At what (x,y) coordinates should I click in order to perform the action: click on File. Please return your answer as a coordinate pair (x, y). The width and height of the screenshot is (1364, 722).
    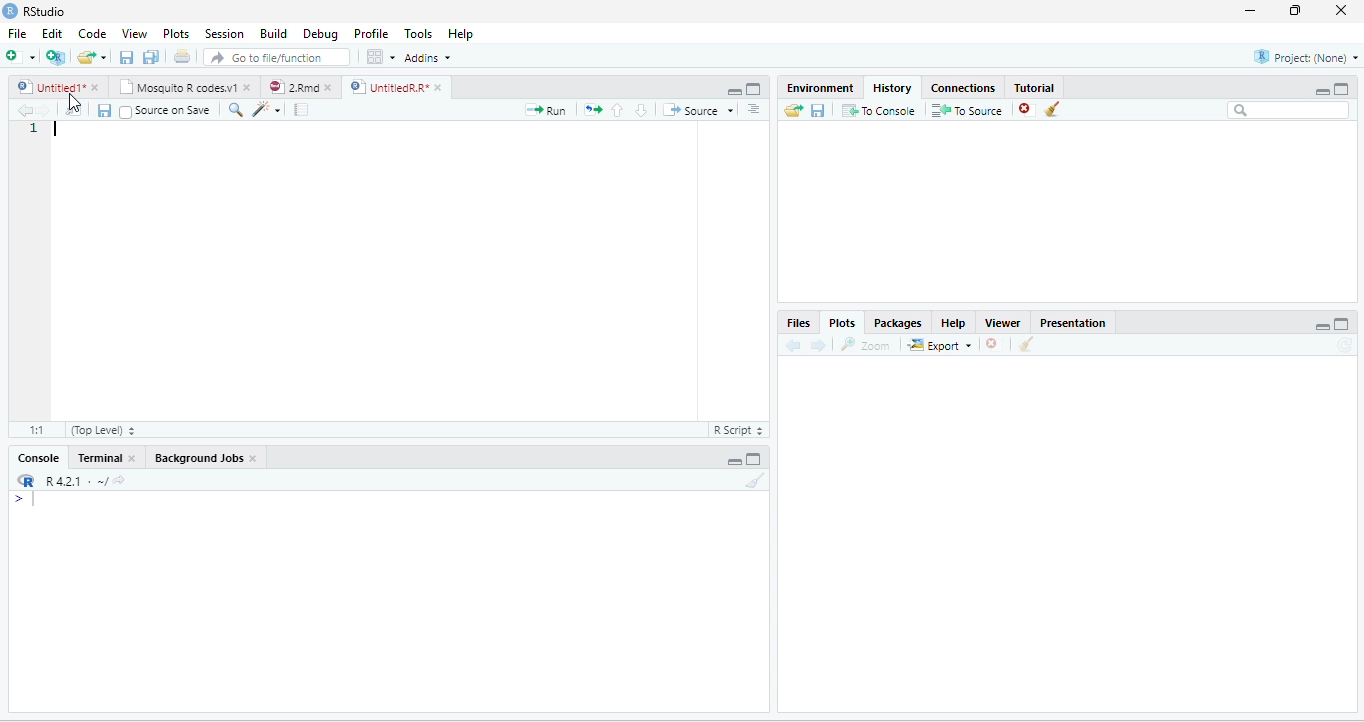
    Looking at the image, I should click on (18, 33).